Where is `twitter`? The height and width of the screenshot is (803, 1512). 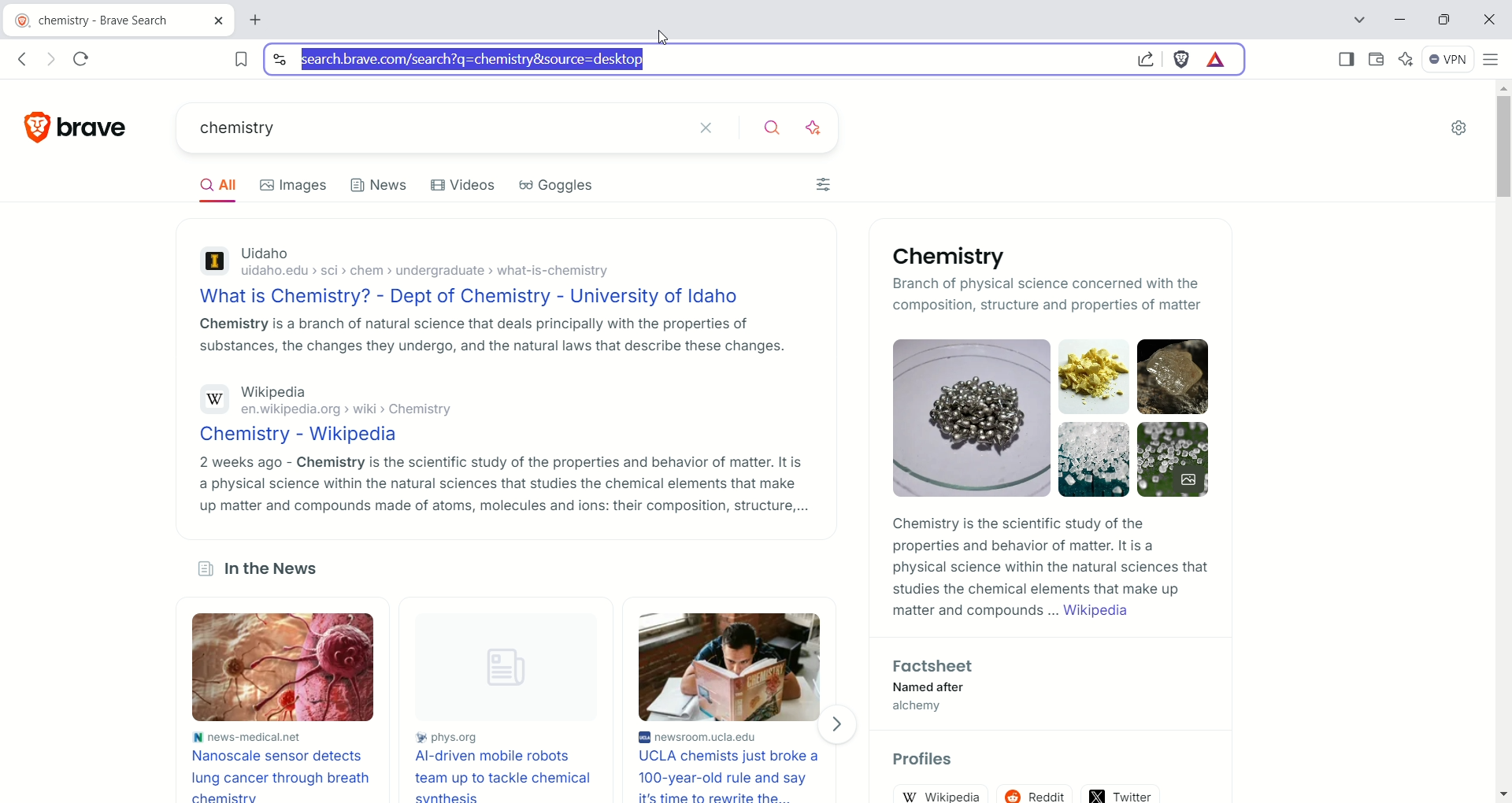 twitter is located at coordinates (1121, 794).